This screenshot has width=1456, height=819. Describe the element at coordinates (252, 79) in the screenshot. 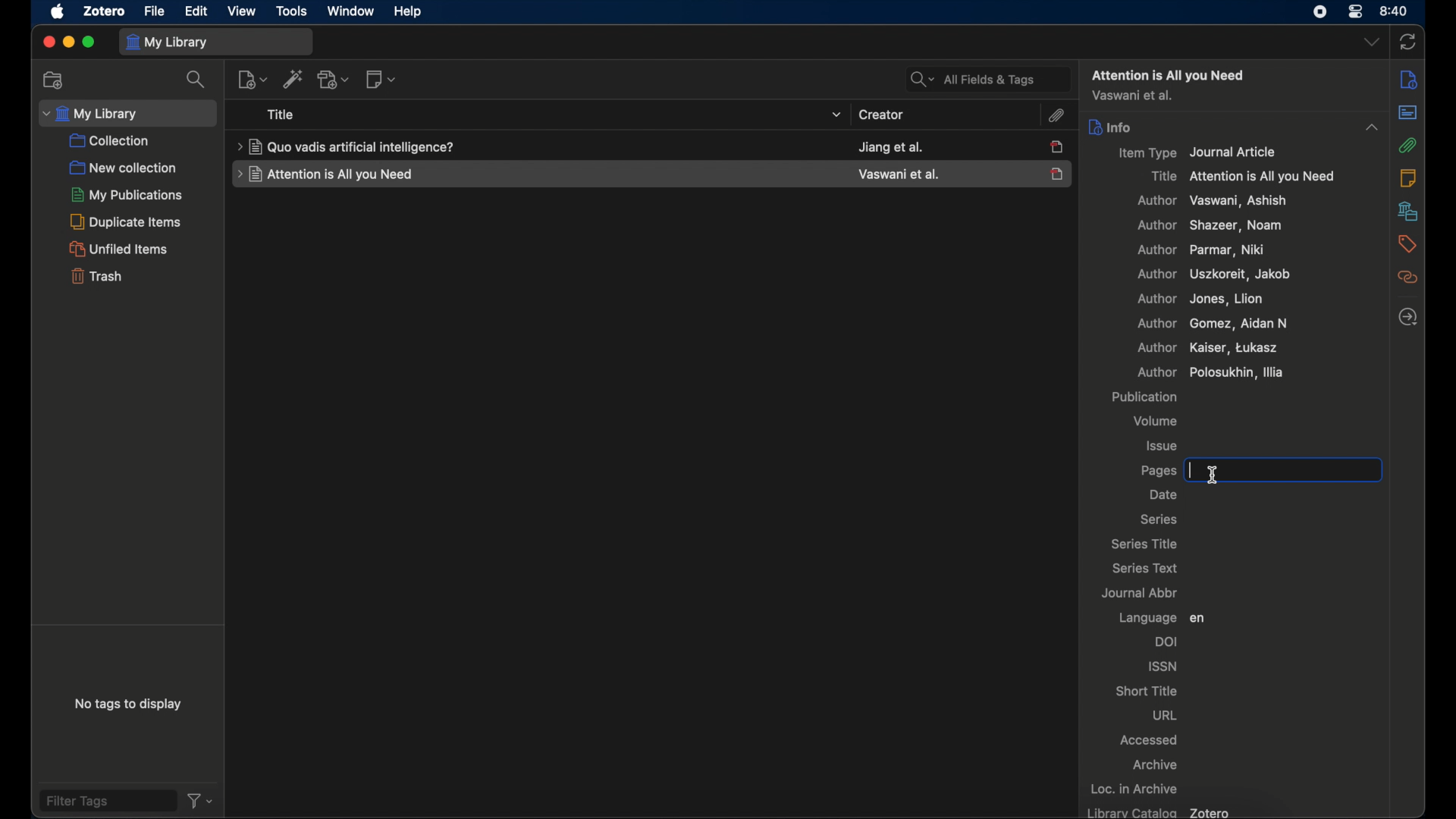

I see `new item` at that location.